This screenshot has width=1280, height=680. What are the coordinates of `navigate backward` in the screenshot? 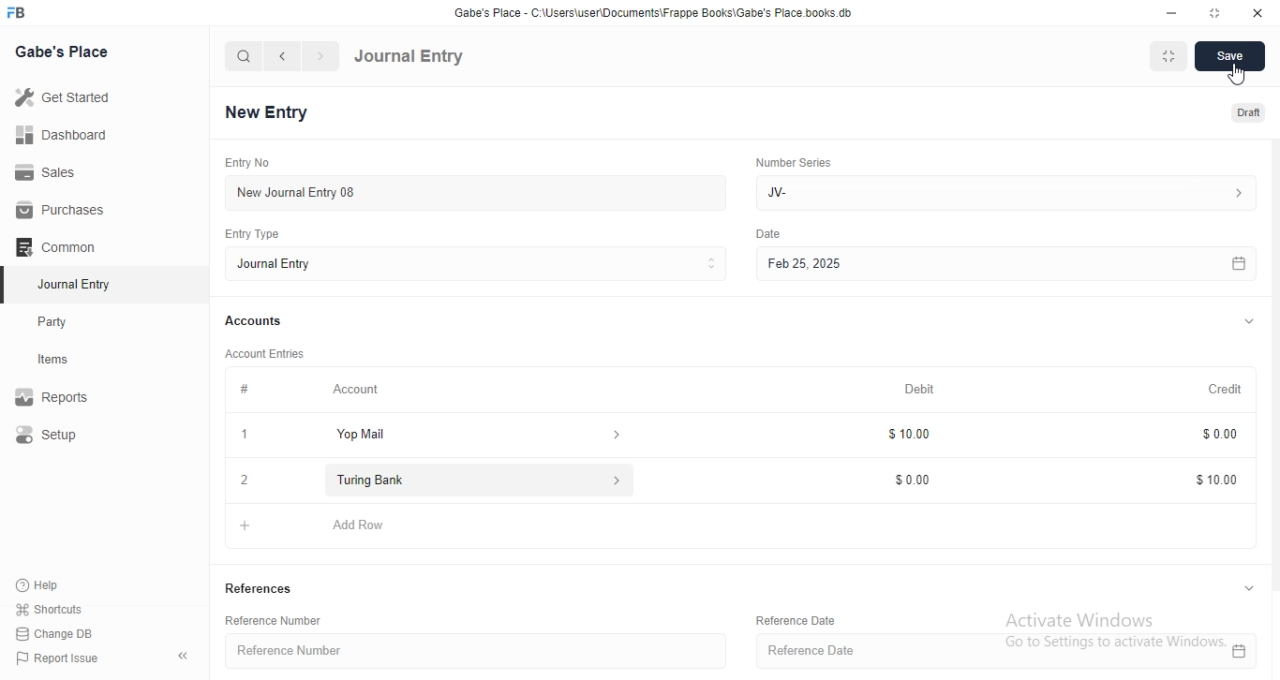 It's located at (285, 56).